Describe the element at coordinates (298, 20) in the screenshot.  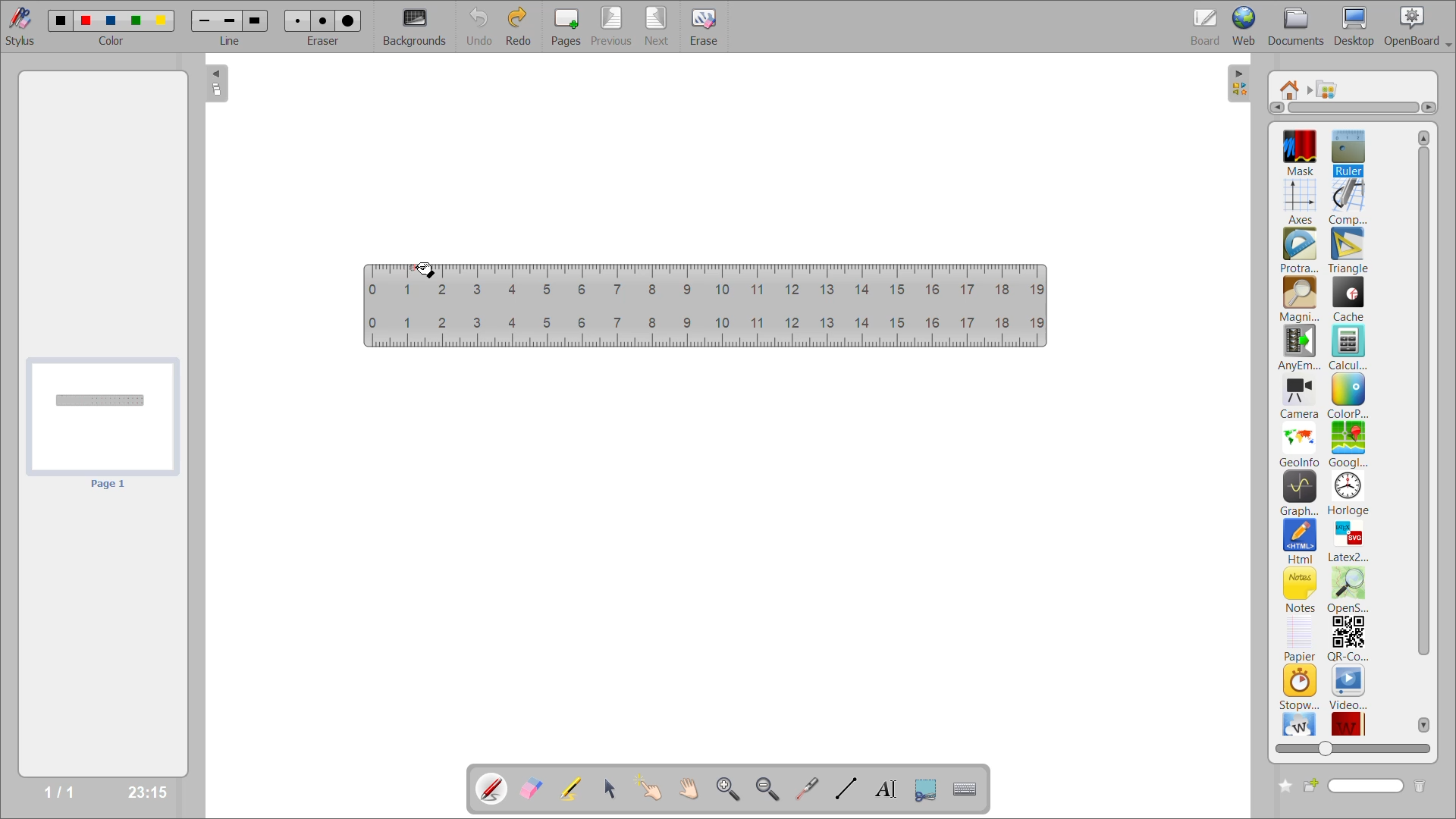
I see `eraser 1` at that location.